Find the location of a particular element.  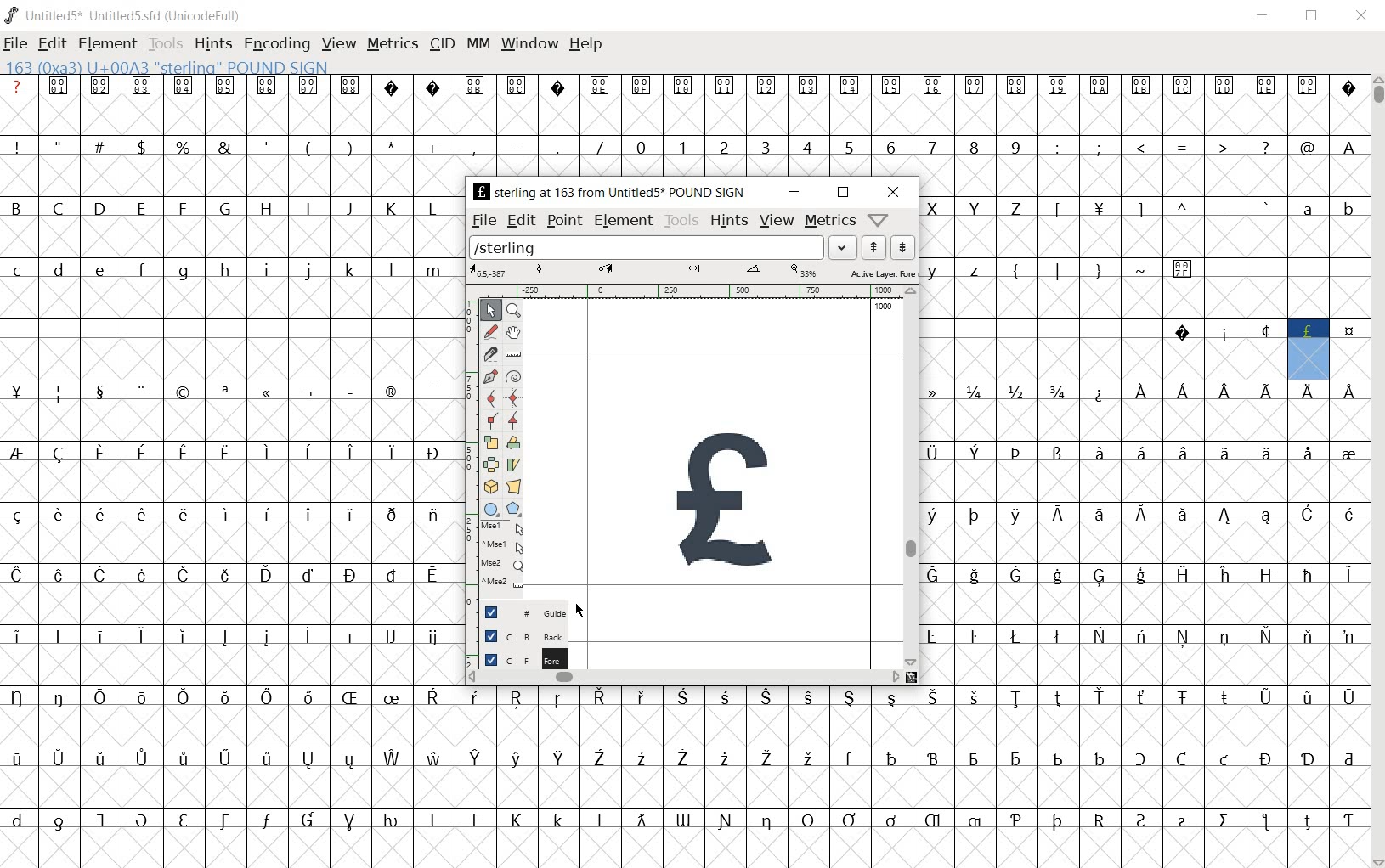

X is located at coordinates (936, 208).